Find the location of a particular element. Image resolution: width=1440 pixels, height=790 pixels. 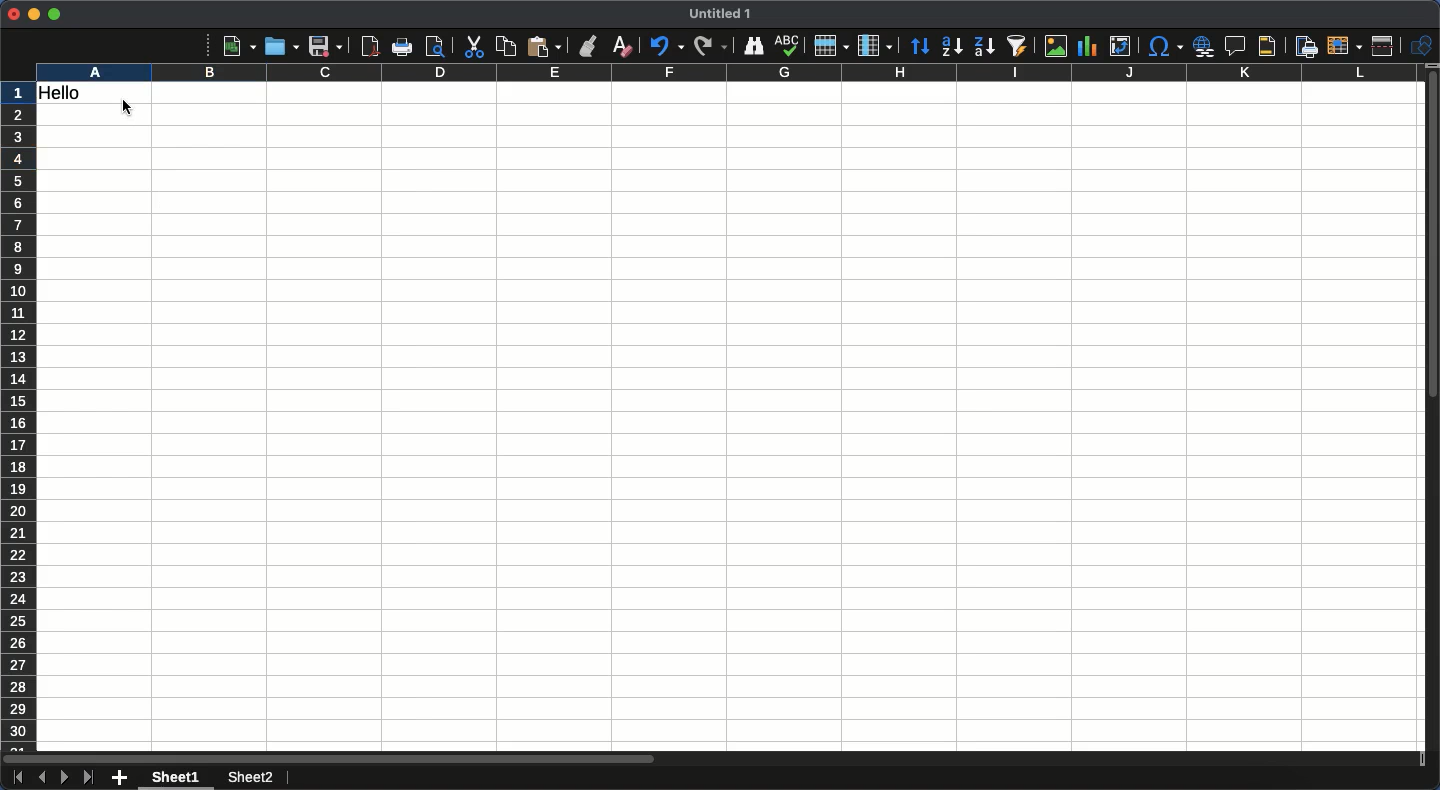

Finder is located at coordinates (751, 46).